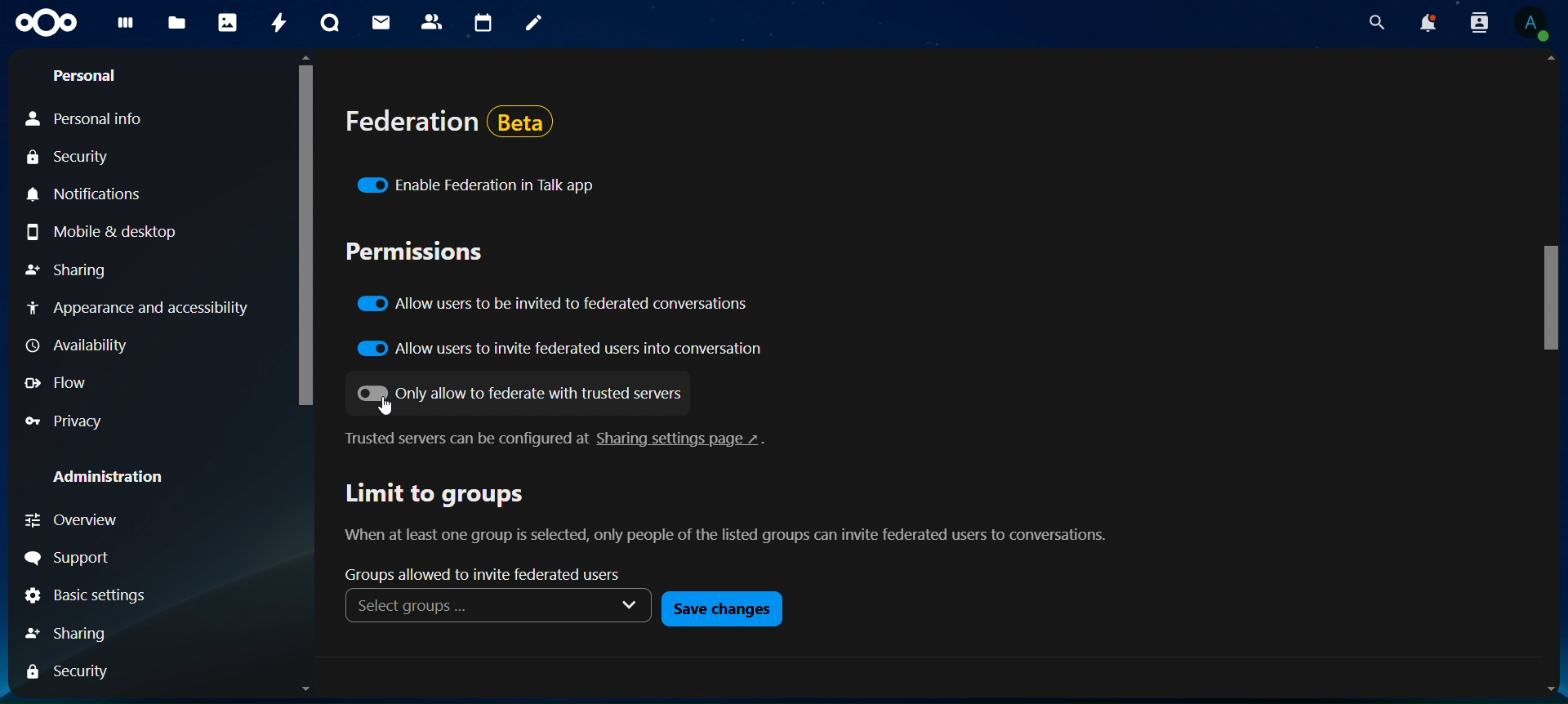  I want to click on availability , so click(78, 346).